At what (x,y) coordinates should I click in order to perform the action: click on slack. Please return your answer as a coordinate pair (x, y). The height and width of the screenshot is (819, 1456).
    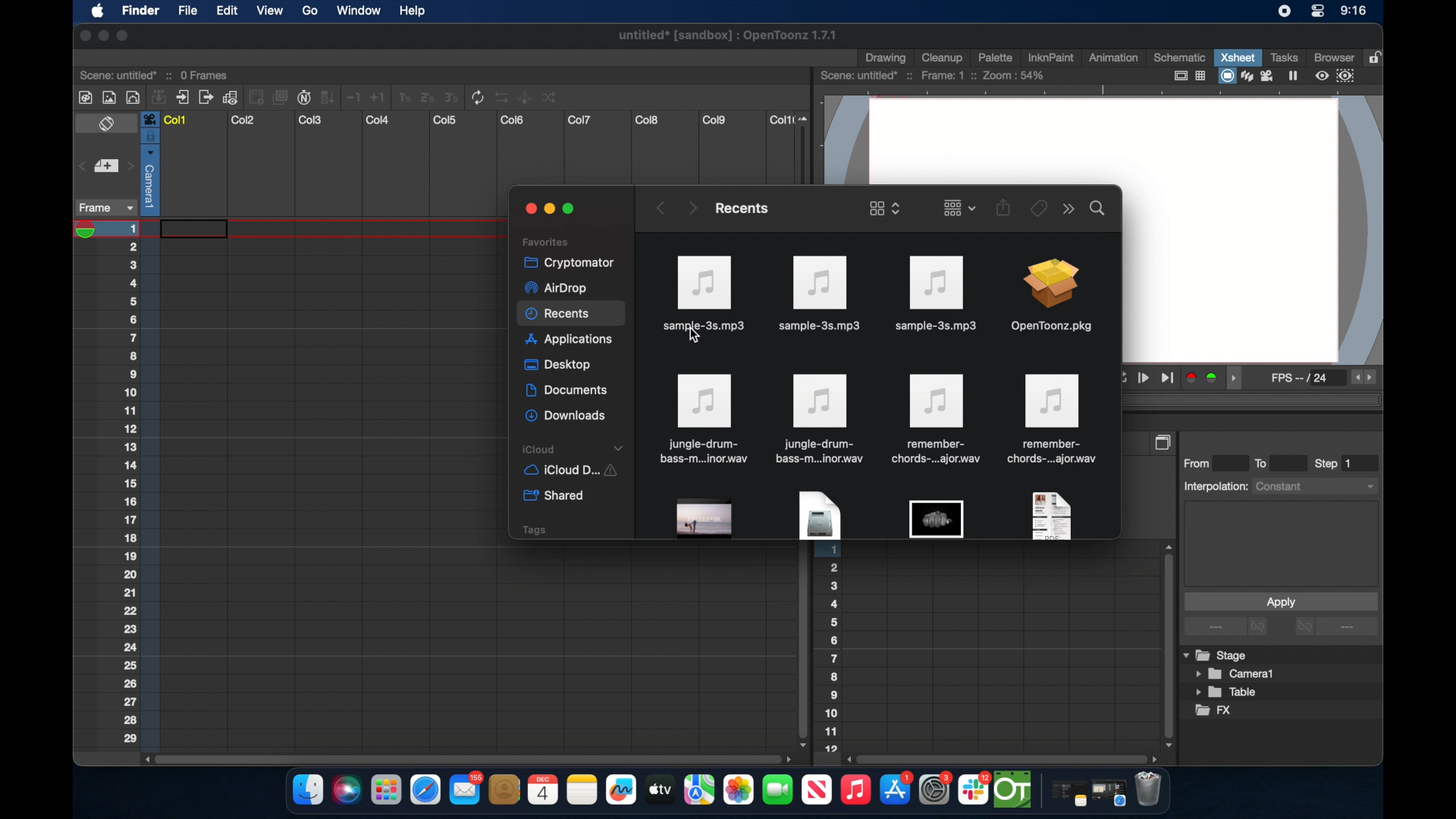
    Looking at the image, I should click on (974, 790).